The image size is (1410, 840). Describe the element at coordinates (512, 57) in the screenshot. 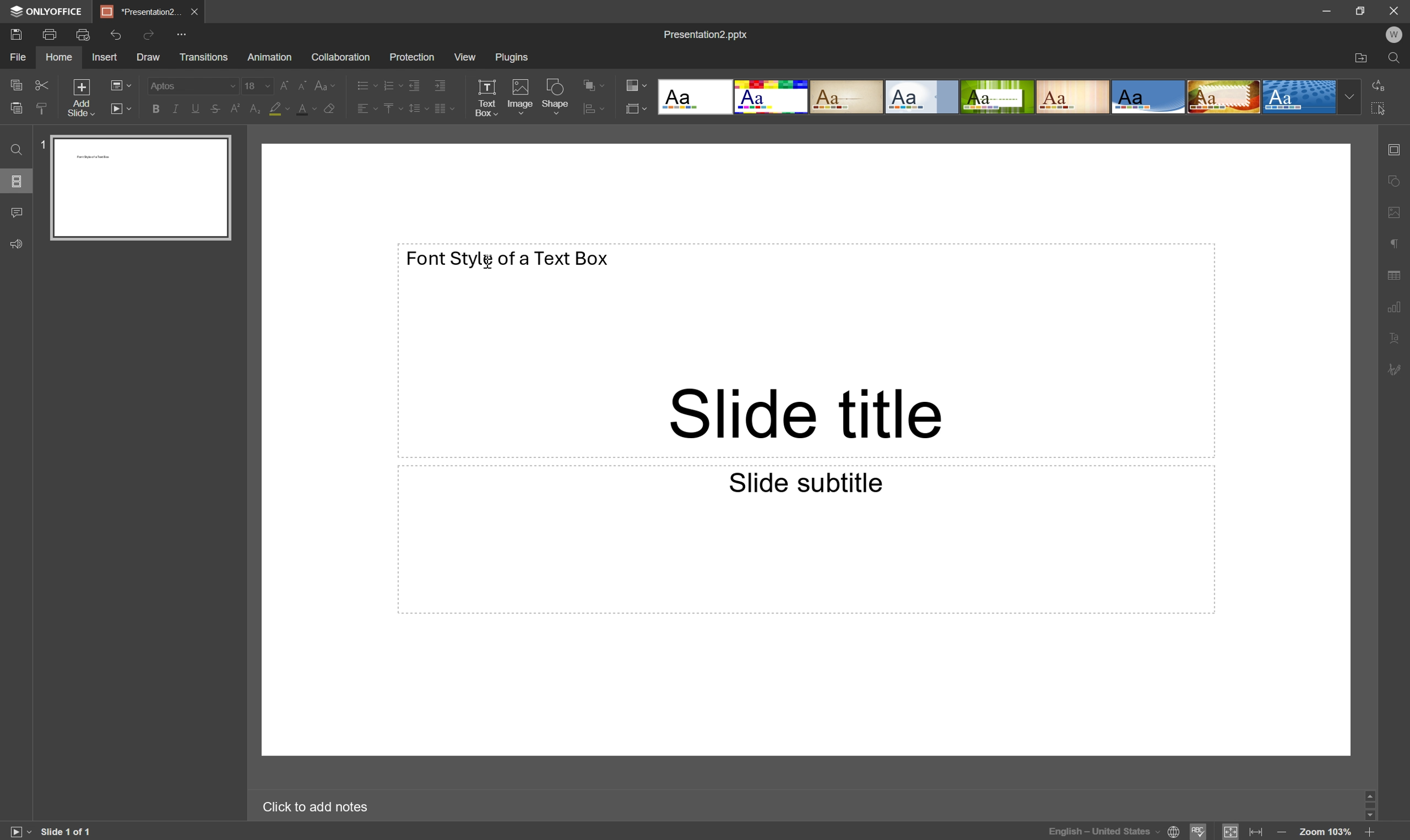

I see `Plugins` at that location.